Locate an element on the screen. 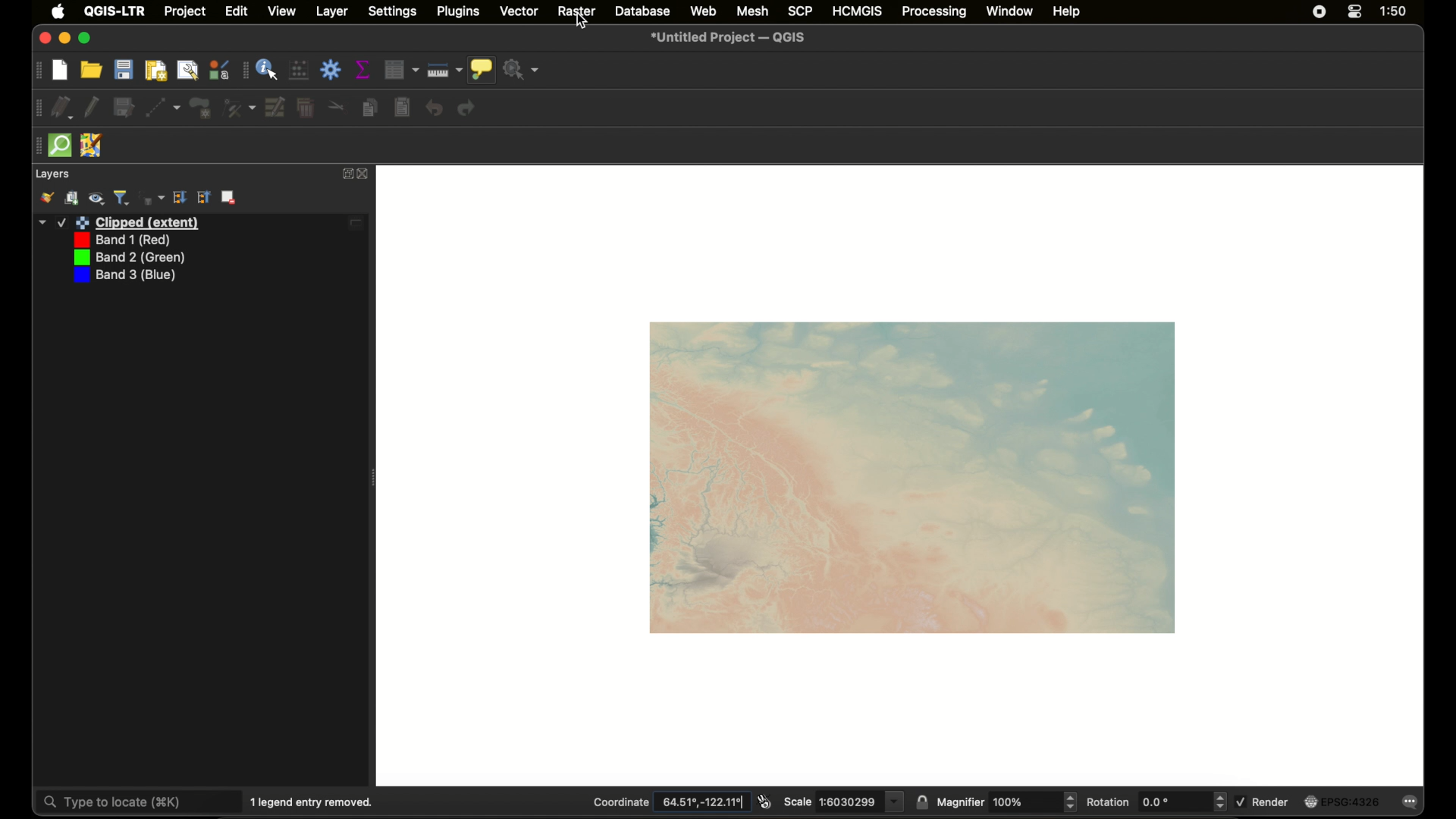 The image size is (1456, 819). edit is located at coordinates (237, 11).